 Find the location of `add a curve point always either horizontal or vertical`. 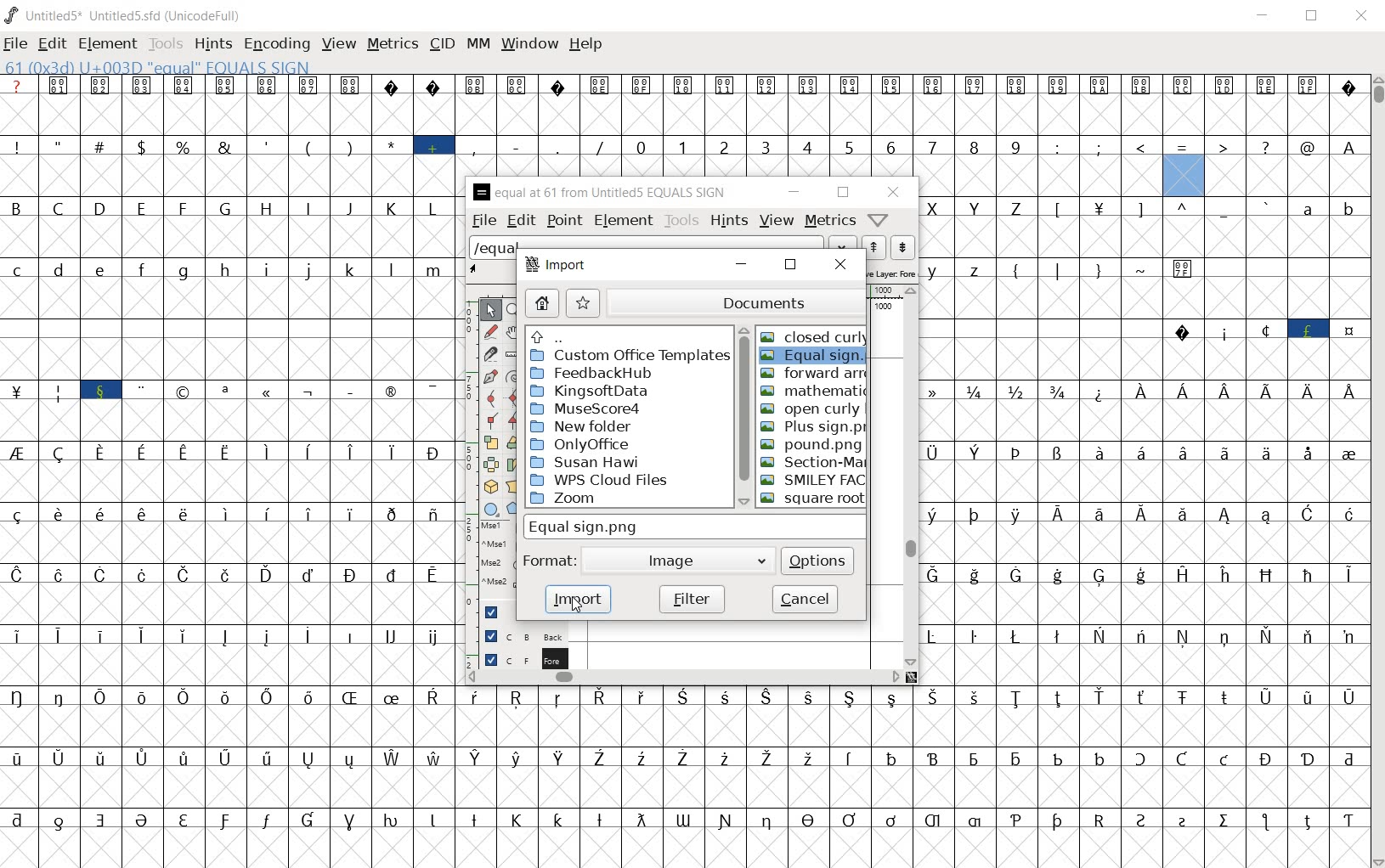

add a curve point always either horizontal or vertical is located at coordinates (514, 397).